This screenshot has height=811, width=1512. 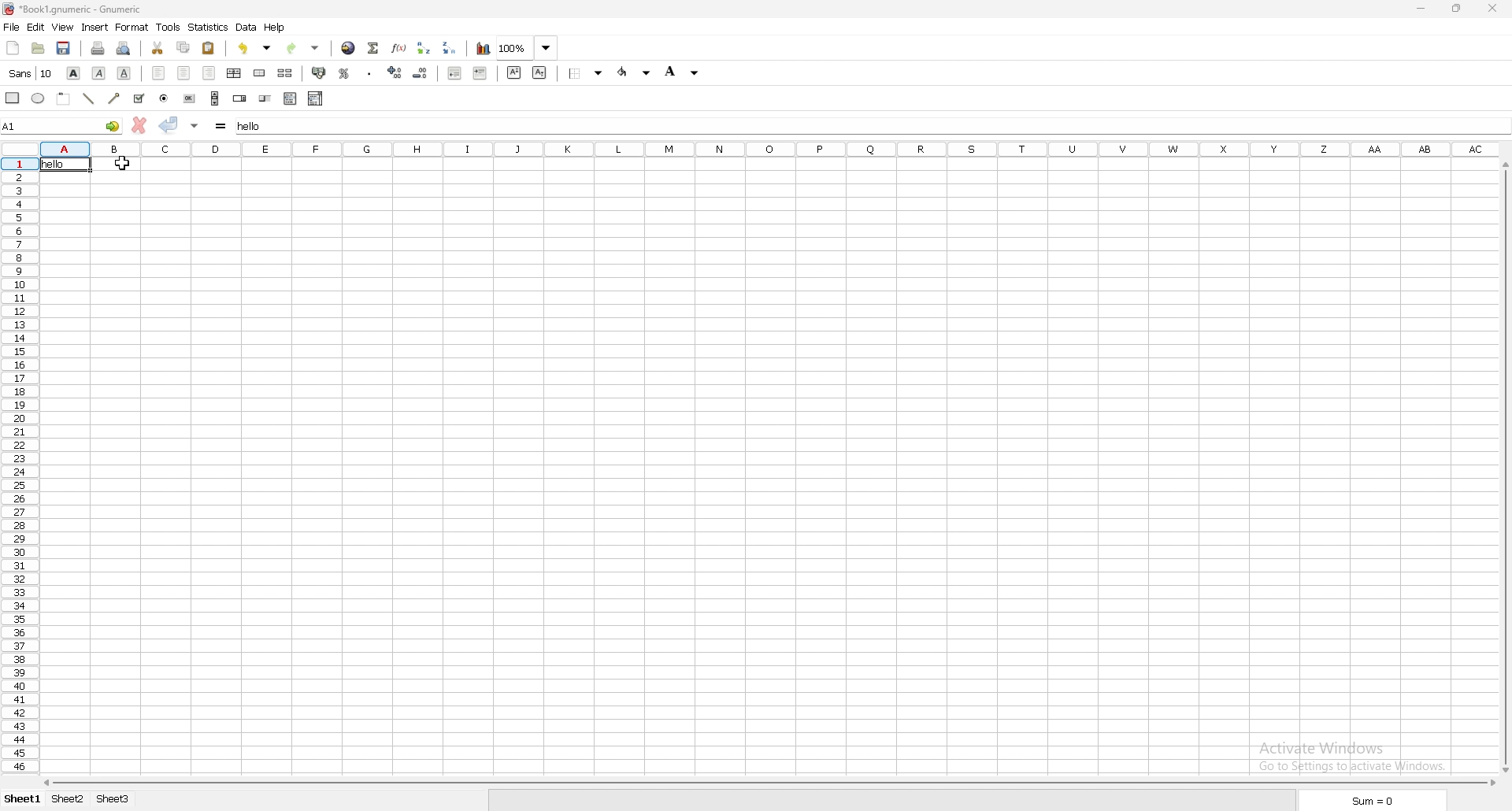 I want to click on row, so click(x=18, y=468).